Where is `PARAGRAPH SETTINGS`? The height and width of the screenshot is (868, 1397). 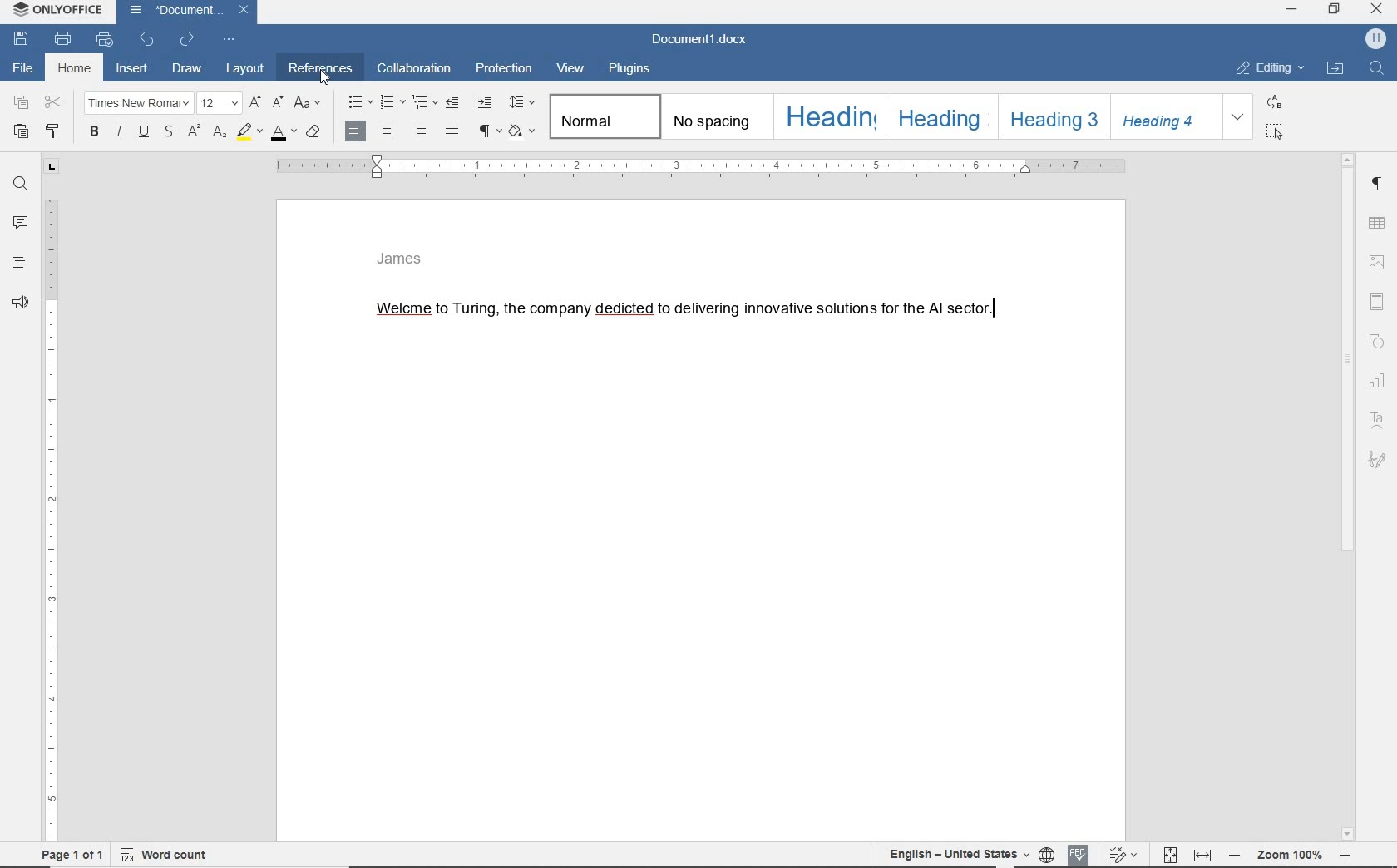 PARAGRAPH SETTINGS is located at coordinates (1379, 185).